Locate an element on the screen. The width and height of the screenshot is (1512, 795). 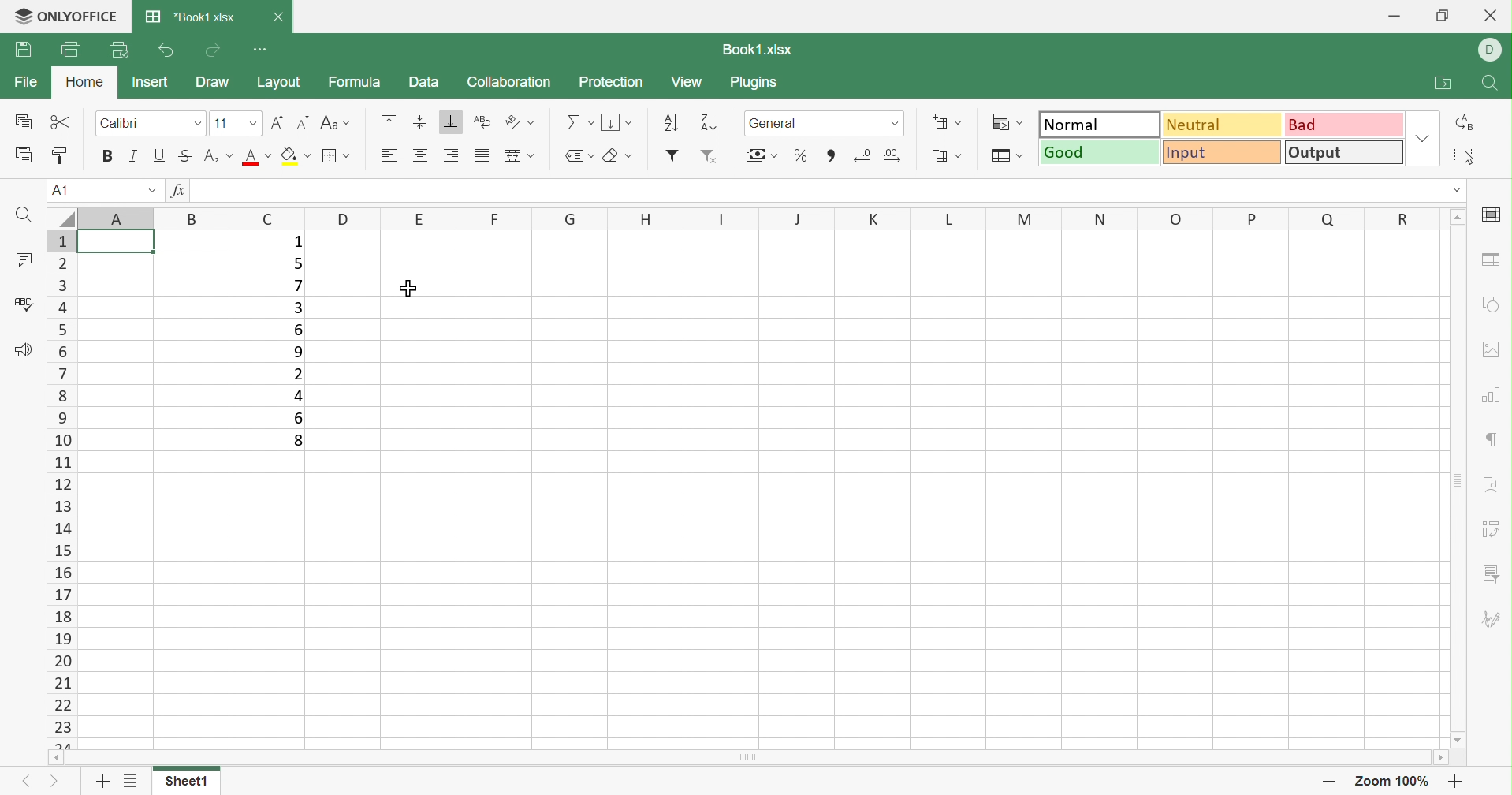
DELL is located at coordinates (1491, 49).